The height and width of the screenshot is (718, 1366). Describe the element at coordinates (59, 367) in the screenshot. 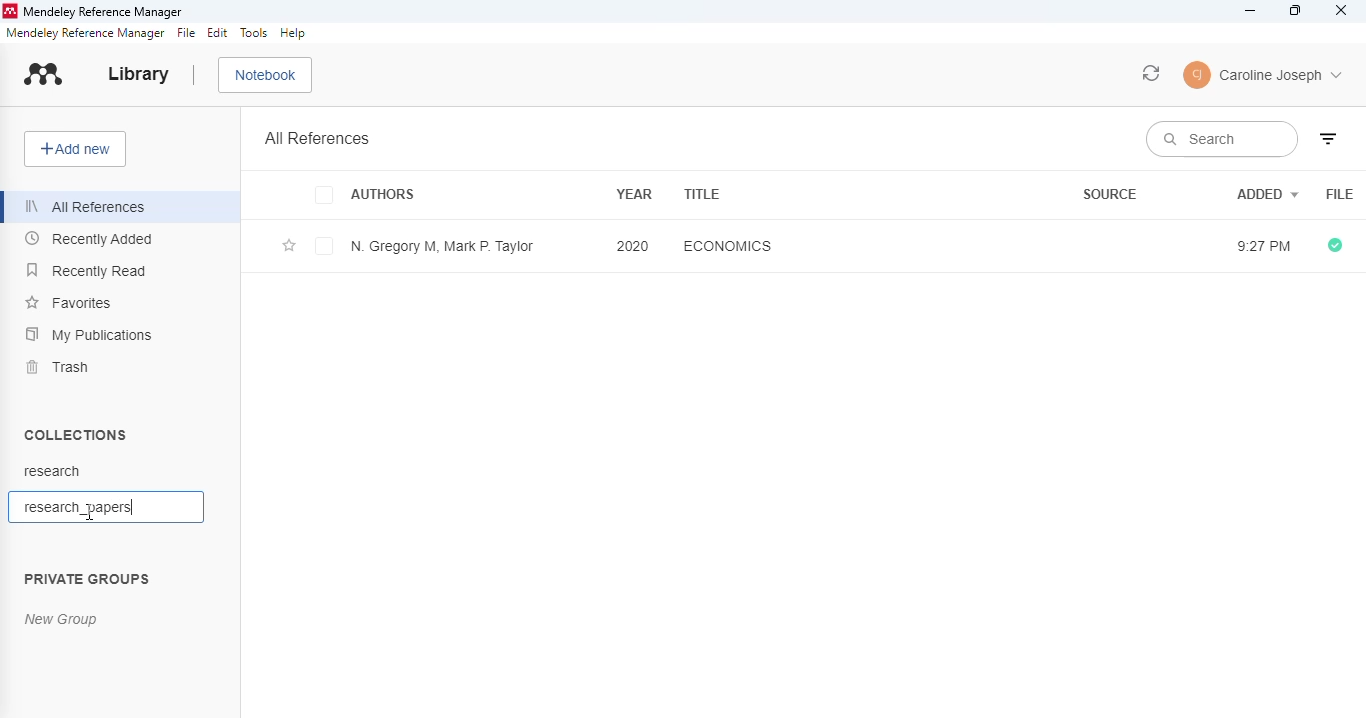

I see `trash` at that location.